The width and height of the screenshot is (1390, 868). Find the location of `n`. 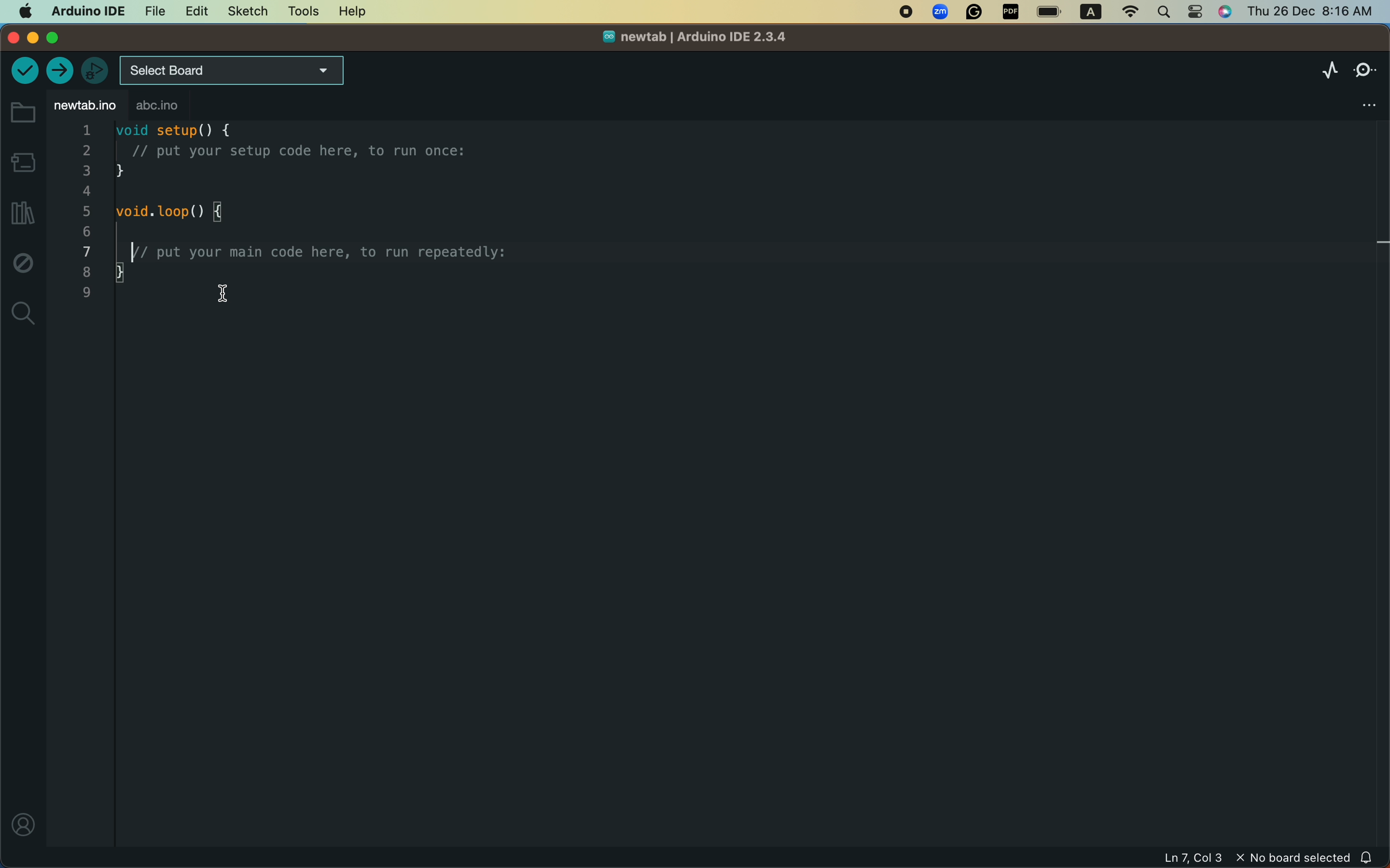

n is located at coordinates (906, 13).